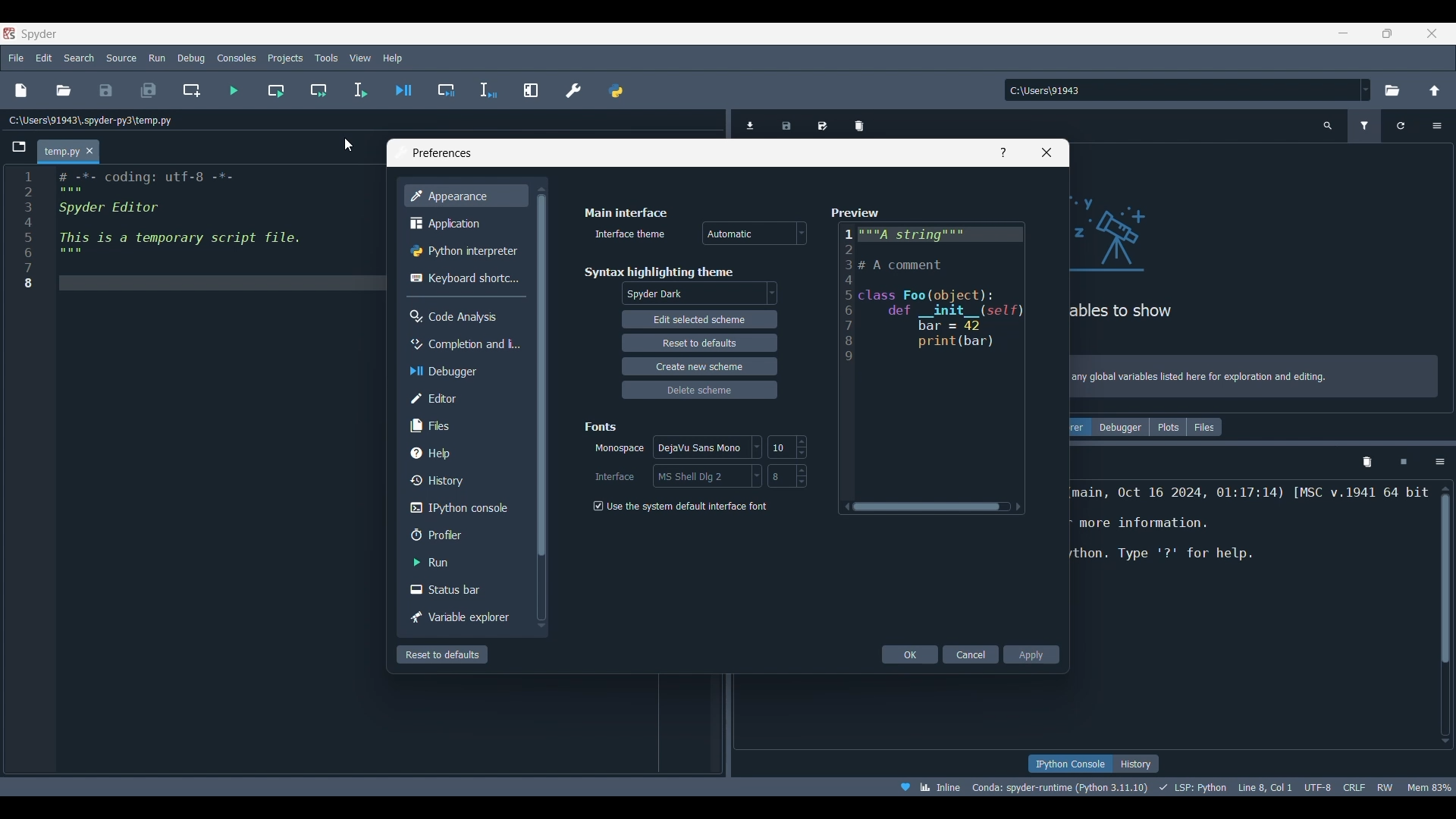 Image resolution: width=1456 pixels, height=819 pixels. I want to click on Run current cell, so click(275, 90).